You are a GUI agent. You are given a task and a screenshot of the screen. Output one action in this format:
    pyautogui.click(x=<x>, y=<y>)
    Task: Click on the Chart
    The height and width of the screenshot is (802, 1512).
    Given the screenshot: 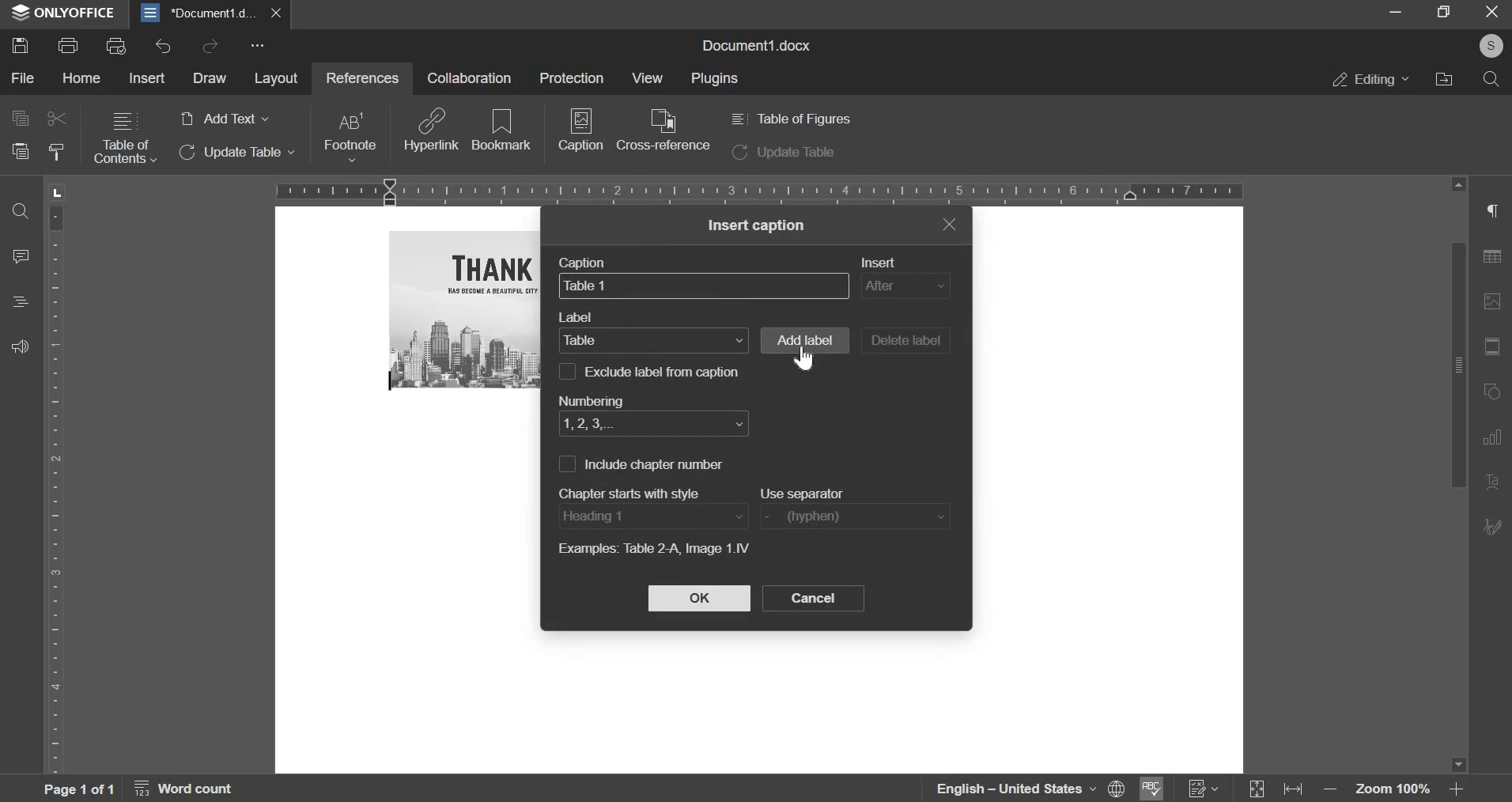 What is the action you would take?
    pyautogui.click(x=1497, y=437)
    